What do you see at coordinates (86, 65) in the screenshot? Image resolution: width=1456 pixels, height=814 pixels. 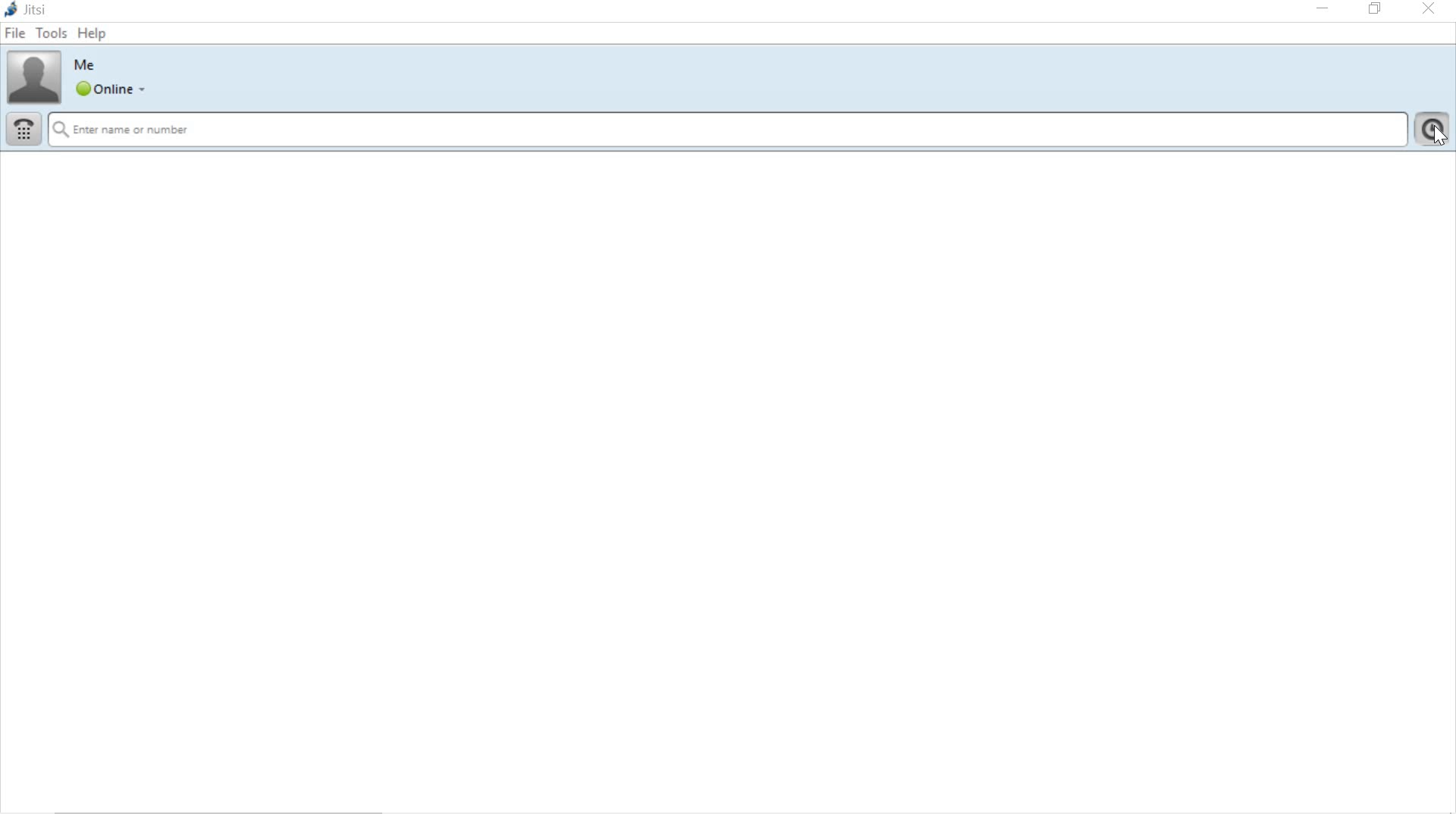 I see `account name` at bounding box center [86, 65].